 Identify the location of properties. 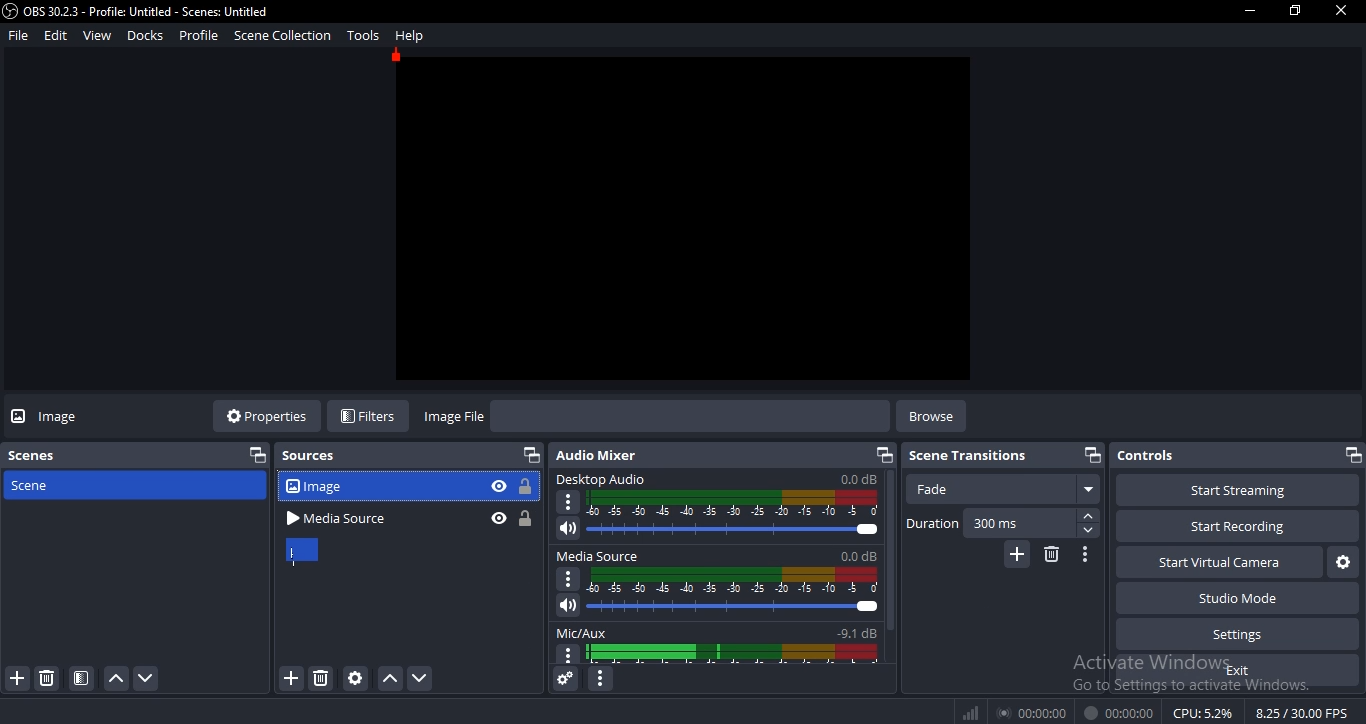
(270, 417).